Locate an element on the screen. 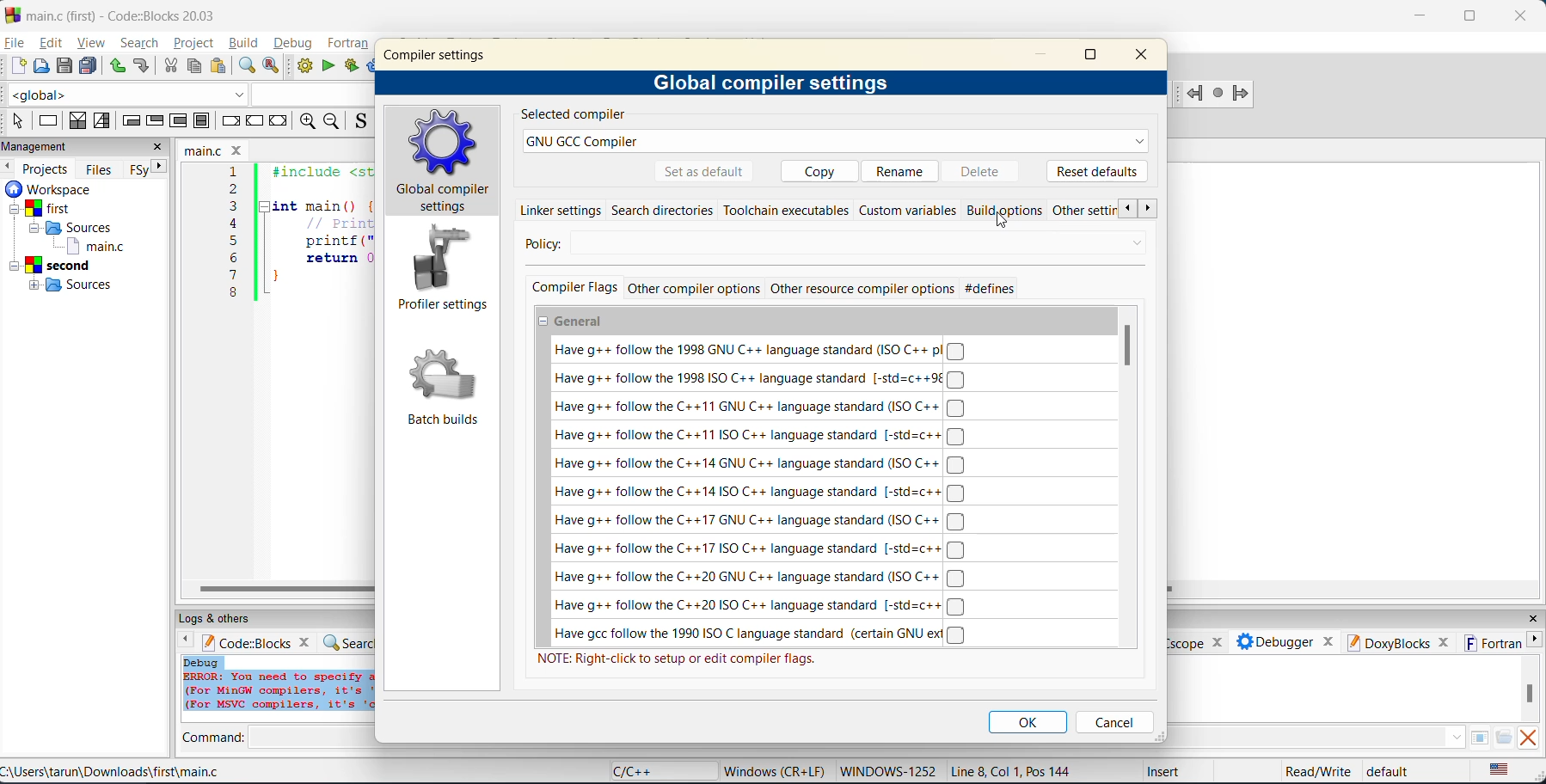  compiler settings is located at coordinates (439, 54).